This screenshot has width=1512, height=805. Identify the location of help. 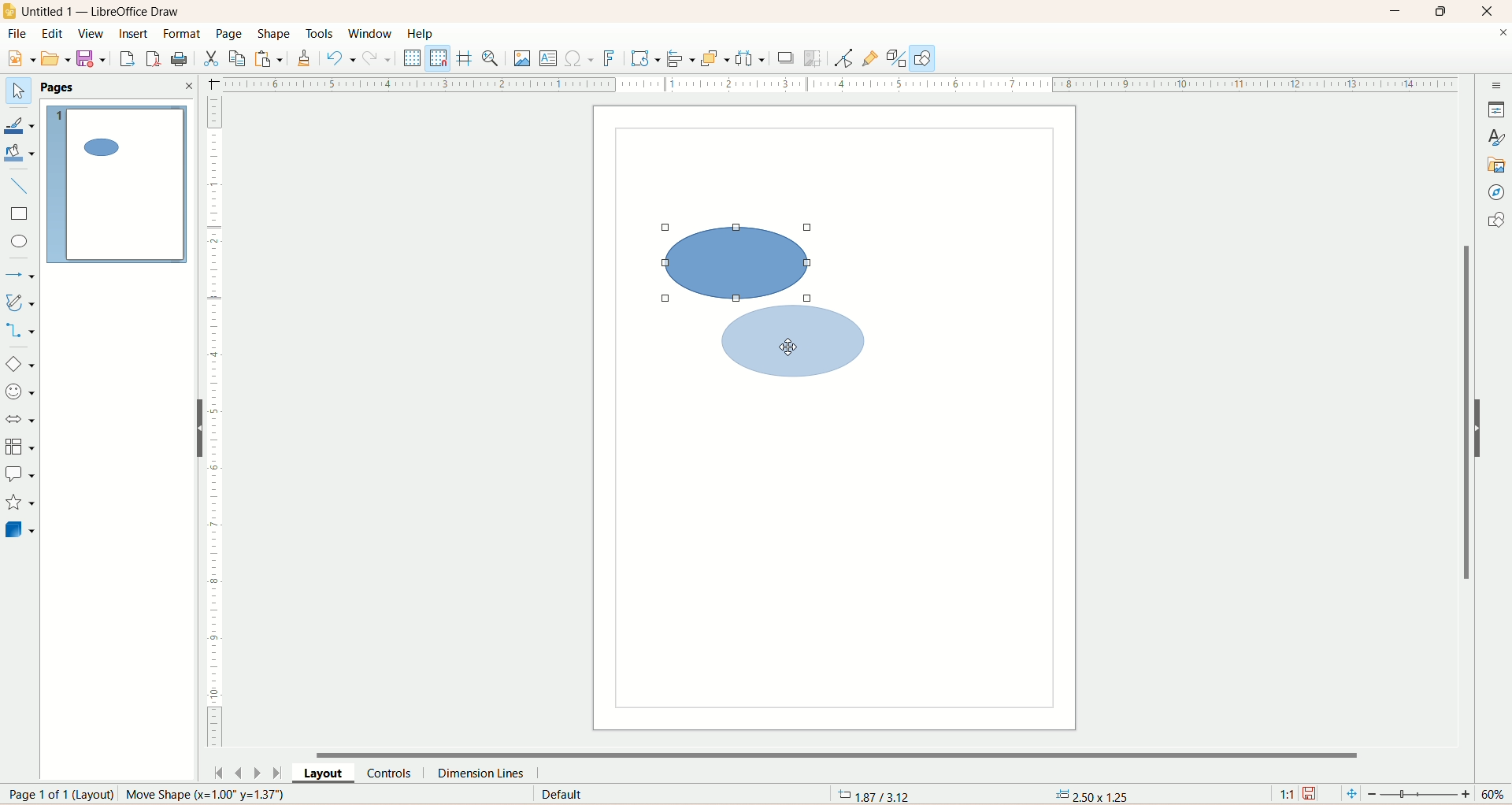
(424, 35).